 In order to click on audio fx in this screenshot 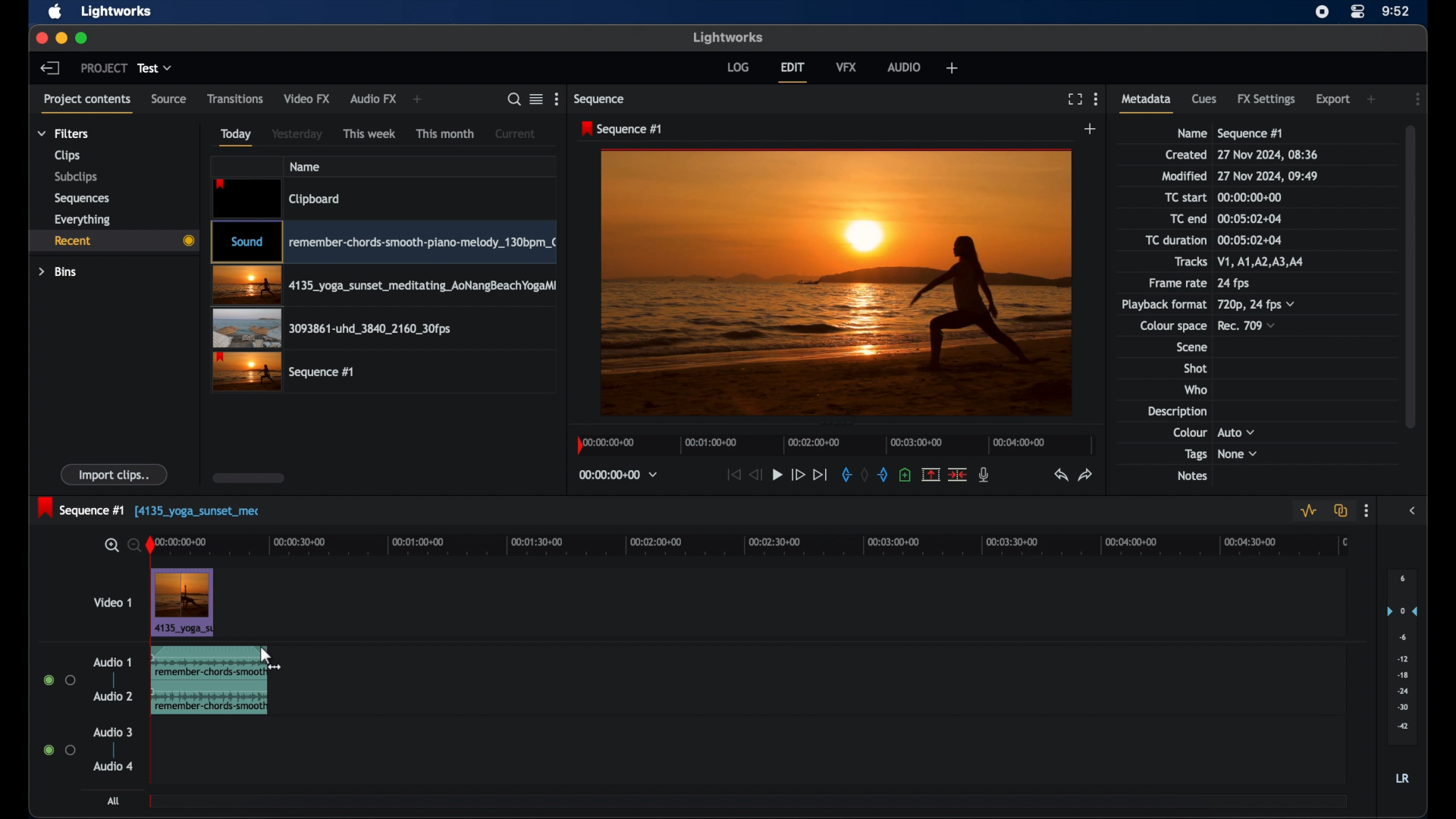, I will do `click(374, 99)`.